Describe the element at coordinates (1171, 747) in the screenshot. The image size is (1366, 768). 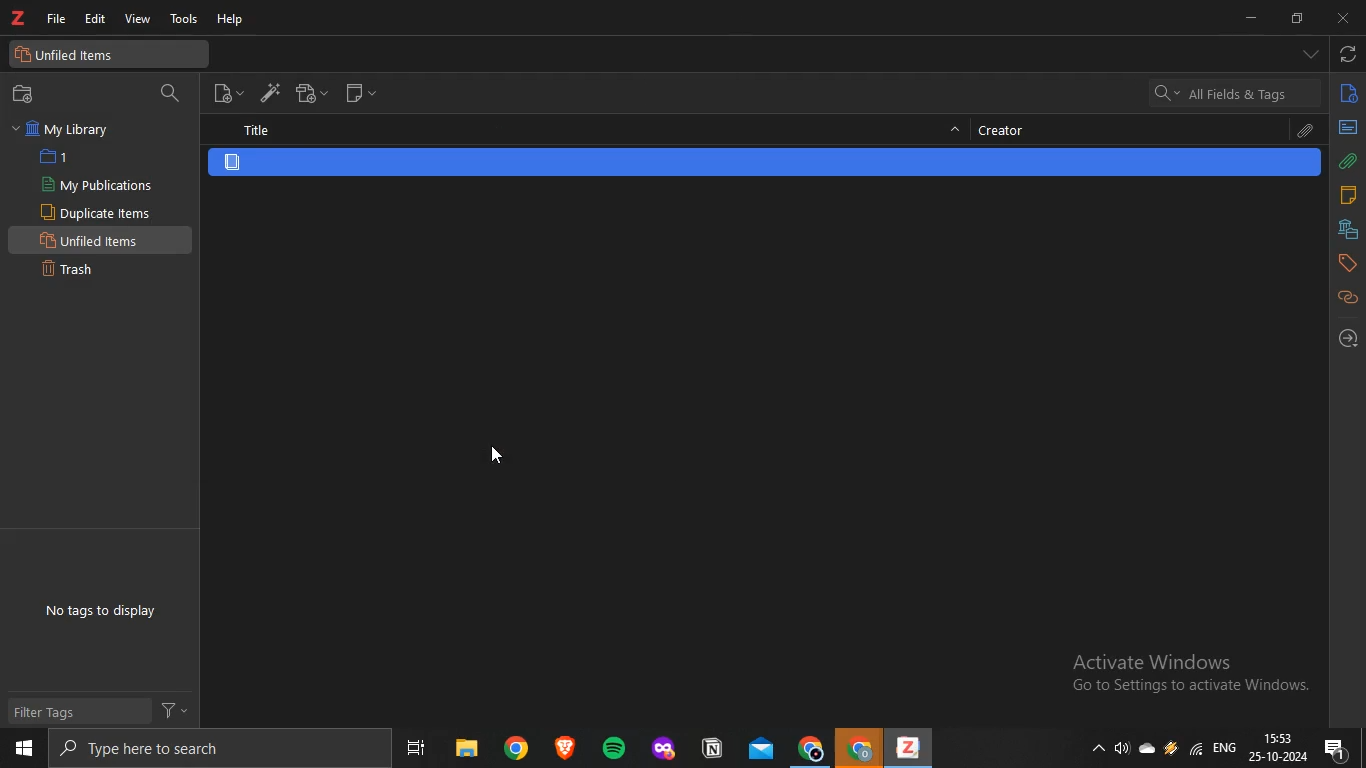
I see `drive` at that location.